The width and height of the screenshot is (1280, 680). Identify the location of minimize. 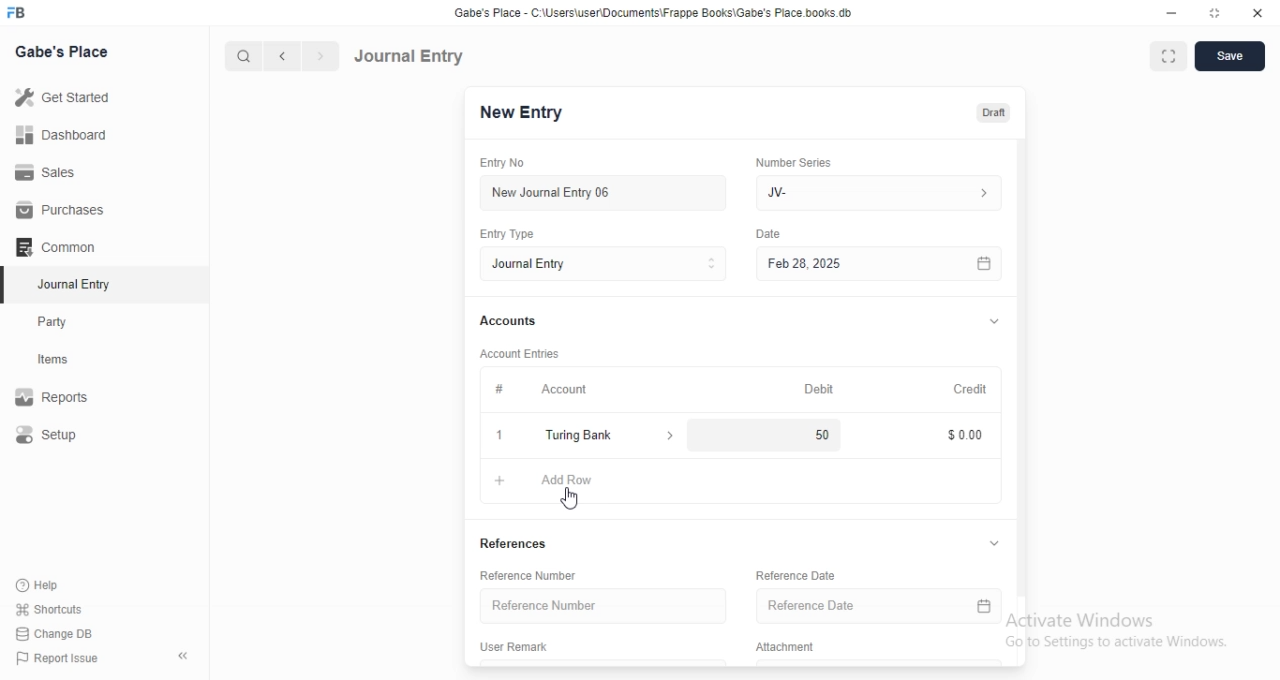
(1170, 16).